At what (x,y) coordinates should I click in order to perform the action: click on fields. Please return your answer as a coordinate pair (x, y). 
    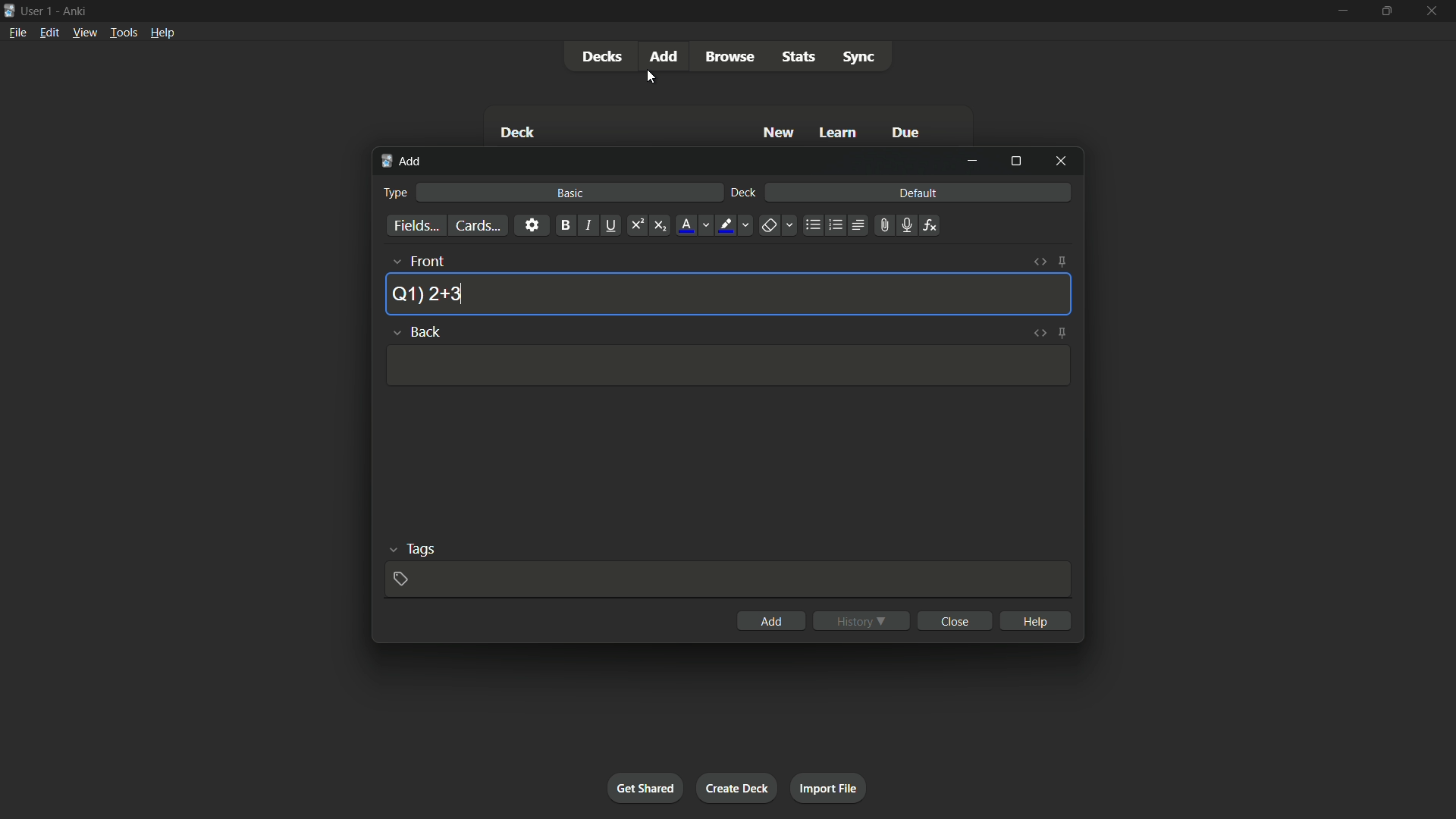
    Looking at the image, I should click on (416, 227).